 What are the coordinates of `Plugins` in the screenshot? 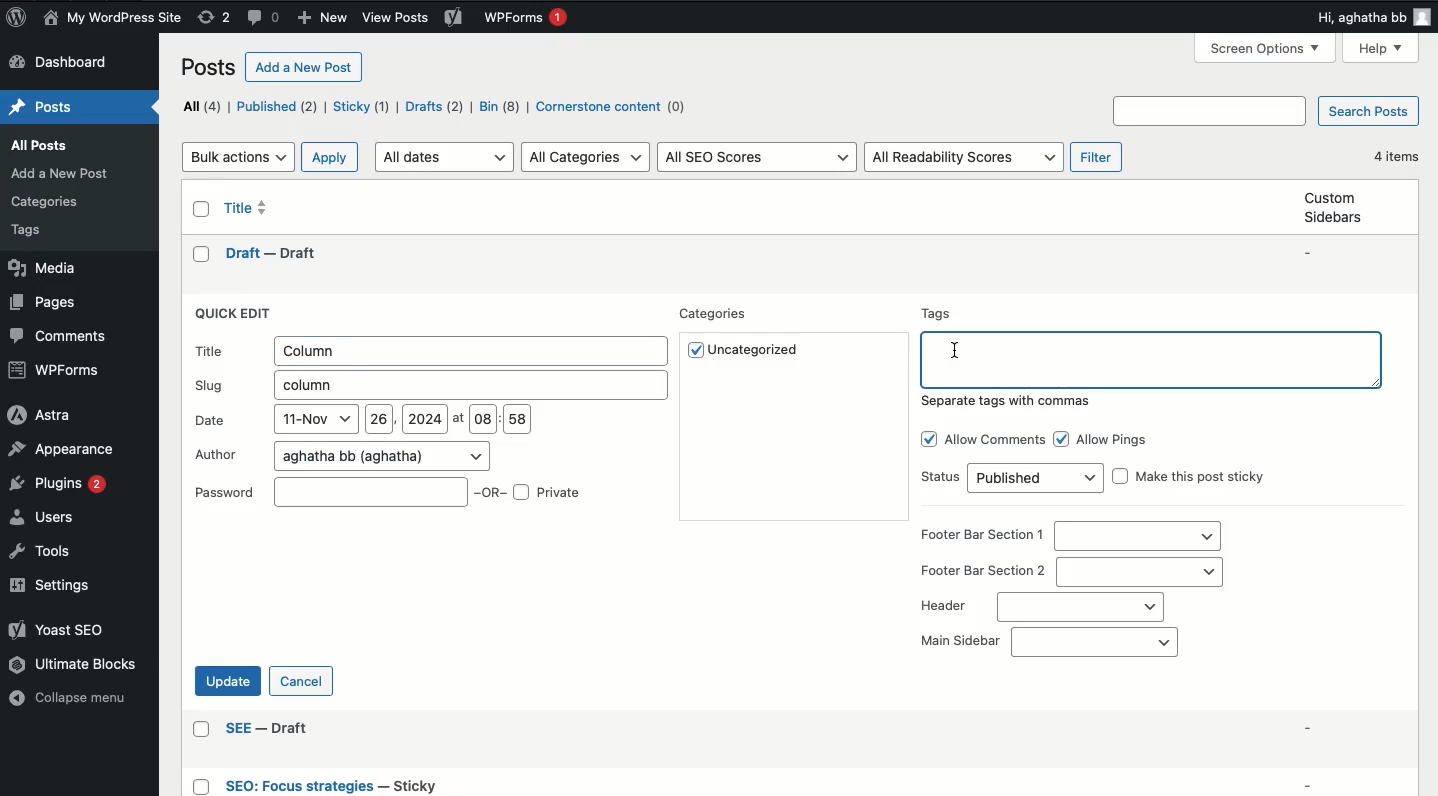 It's located at (59, 488).